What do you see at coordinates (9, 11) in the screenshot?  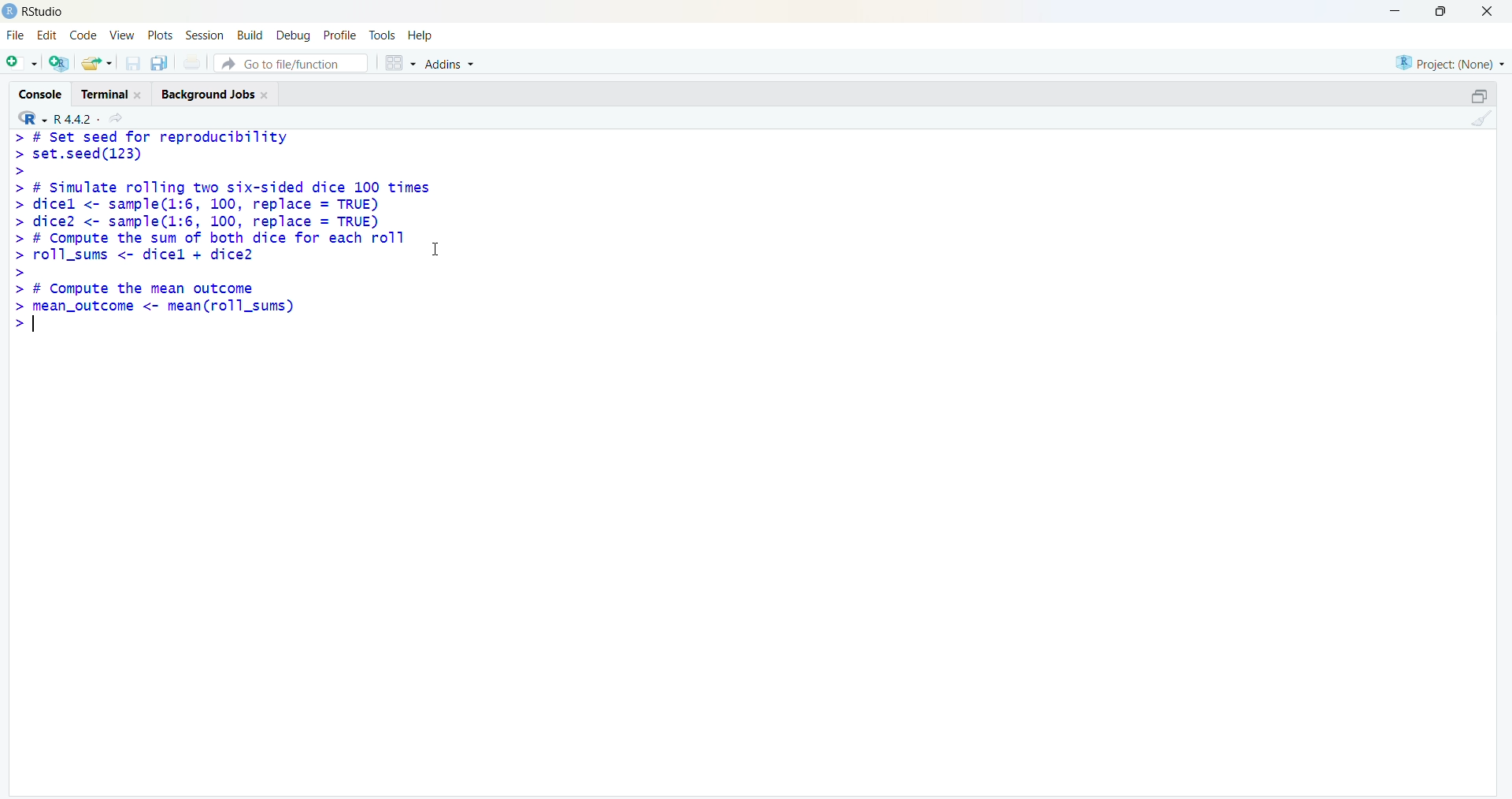 I see `logo` at bounding box center [9, 11].